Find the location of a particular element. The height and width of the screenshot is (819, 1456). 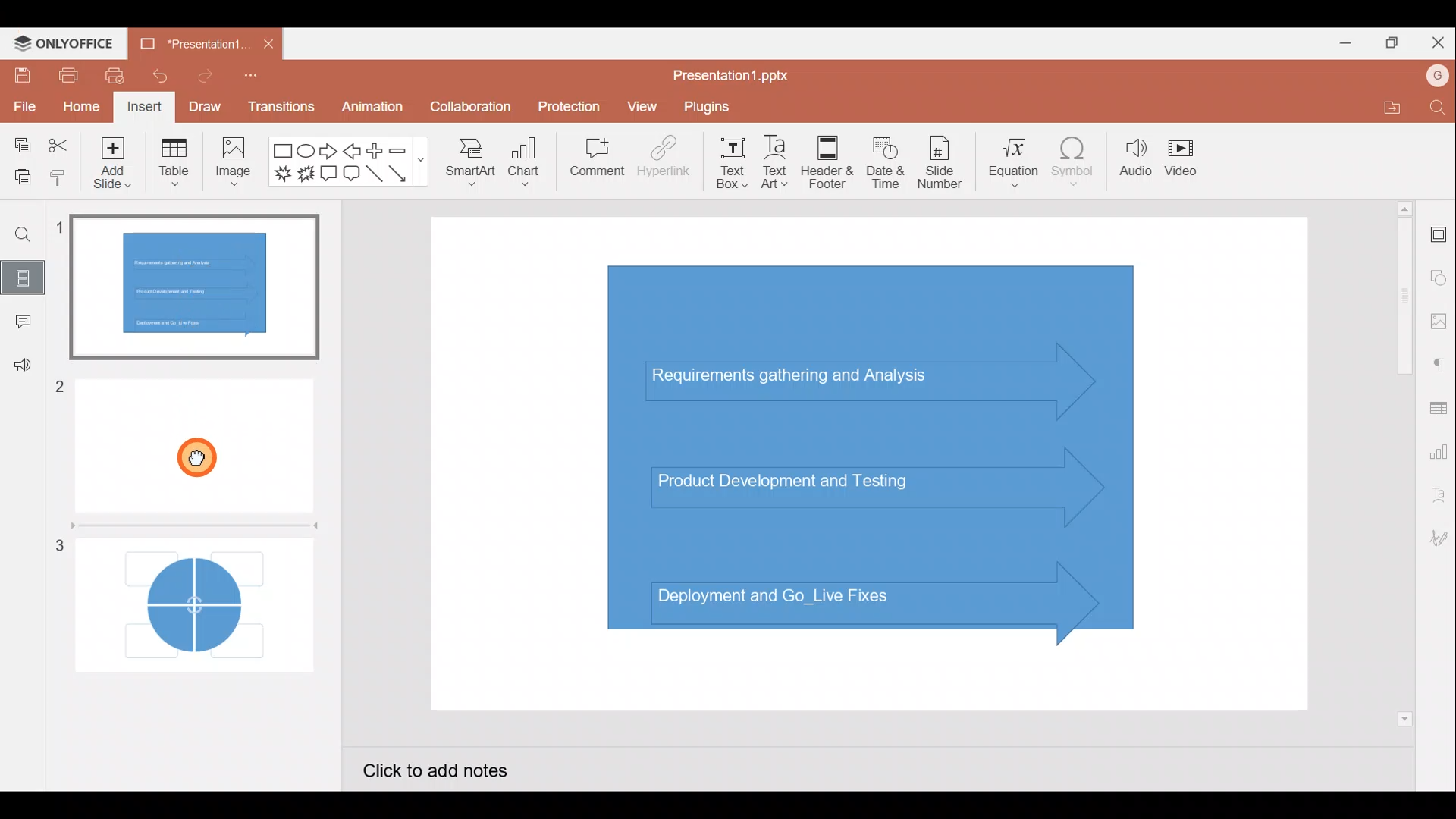

Presentation1.pptx is located at coordinates (737, 74).